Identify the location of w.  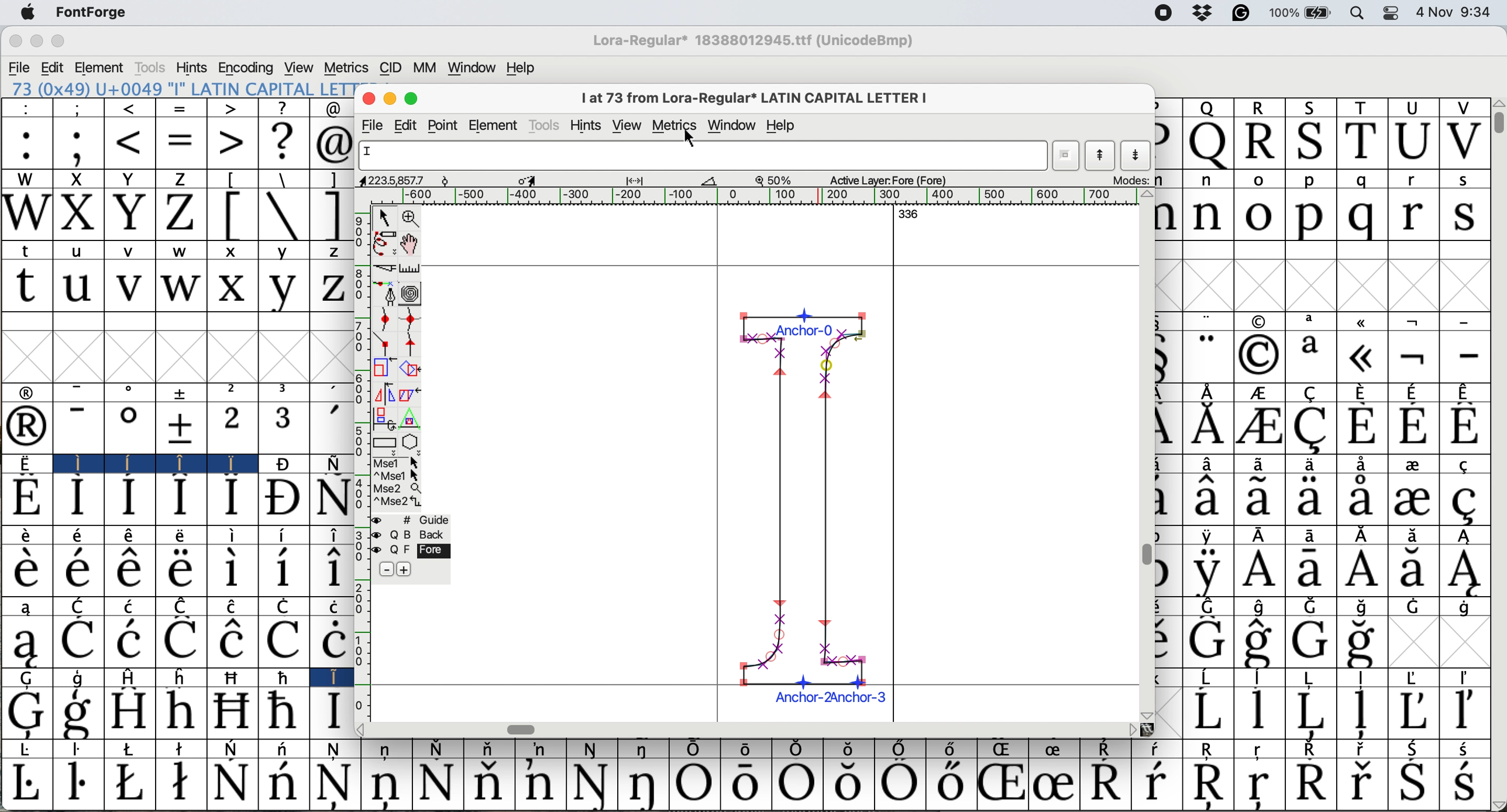
(182, 288).